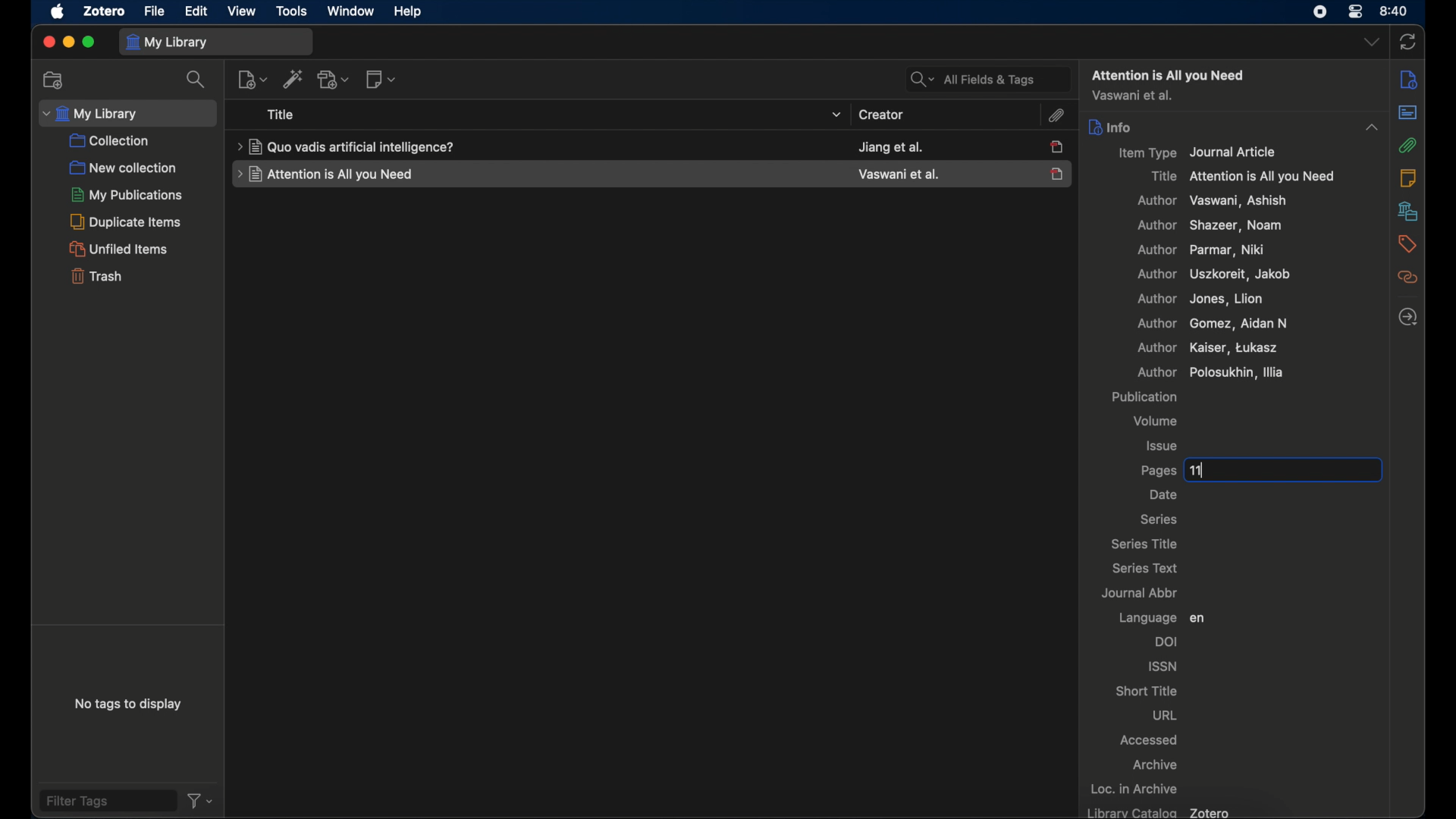  What do you see at coordinates (897, 174) in the screenshot?
I see `creator creator name` at bounding box center [897, 174].